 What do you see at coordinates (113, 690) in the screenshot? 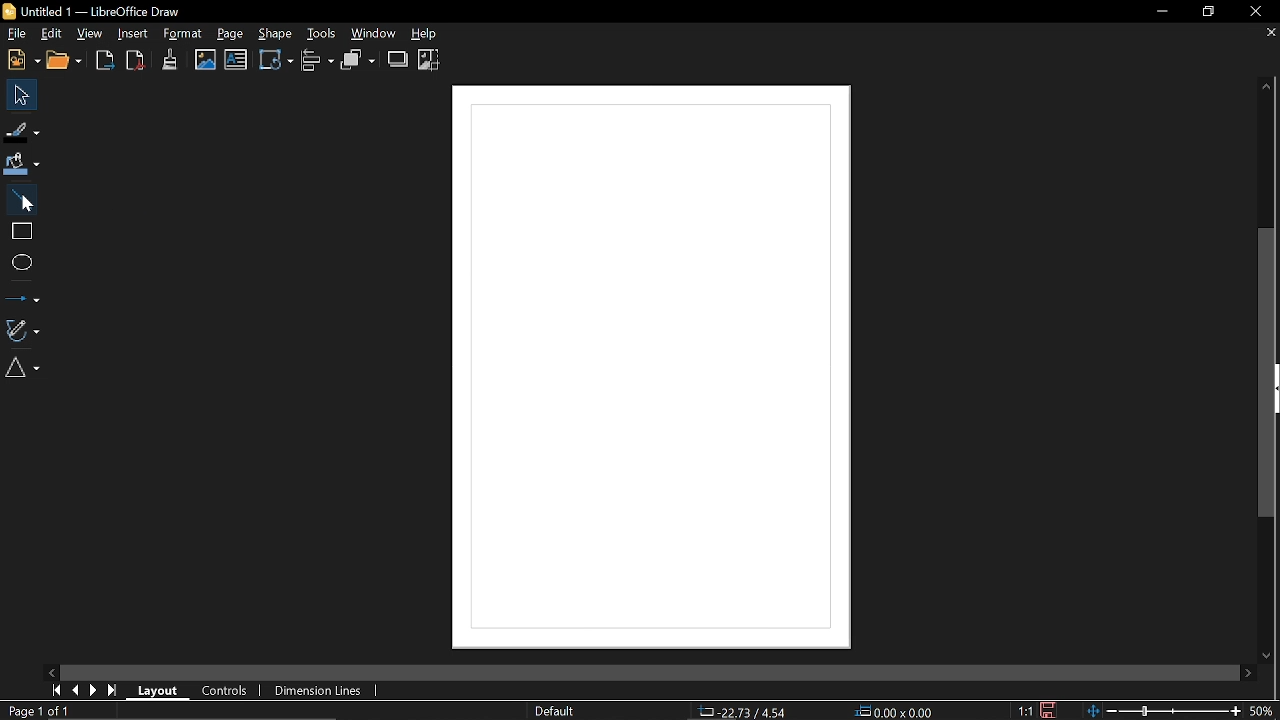
I see `Last Page` at bounding box center [113, 690].